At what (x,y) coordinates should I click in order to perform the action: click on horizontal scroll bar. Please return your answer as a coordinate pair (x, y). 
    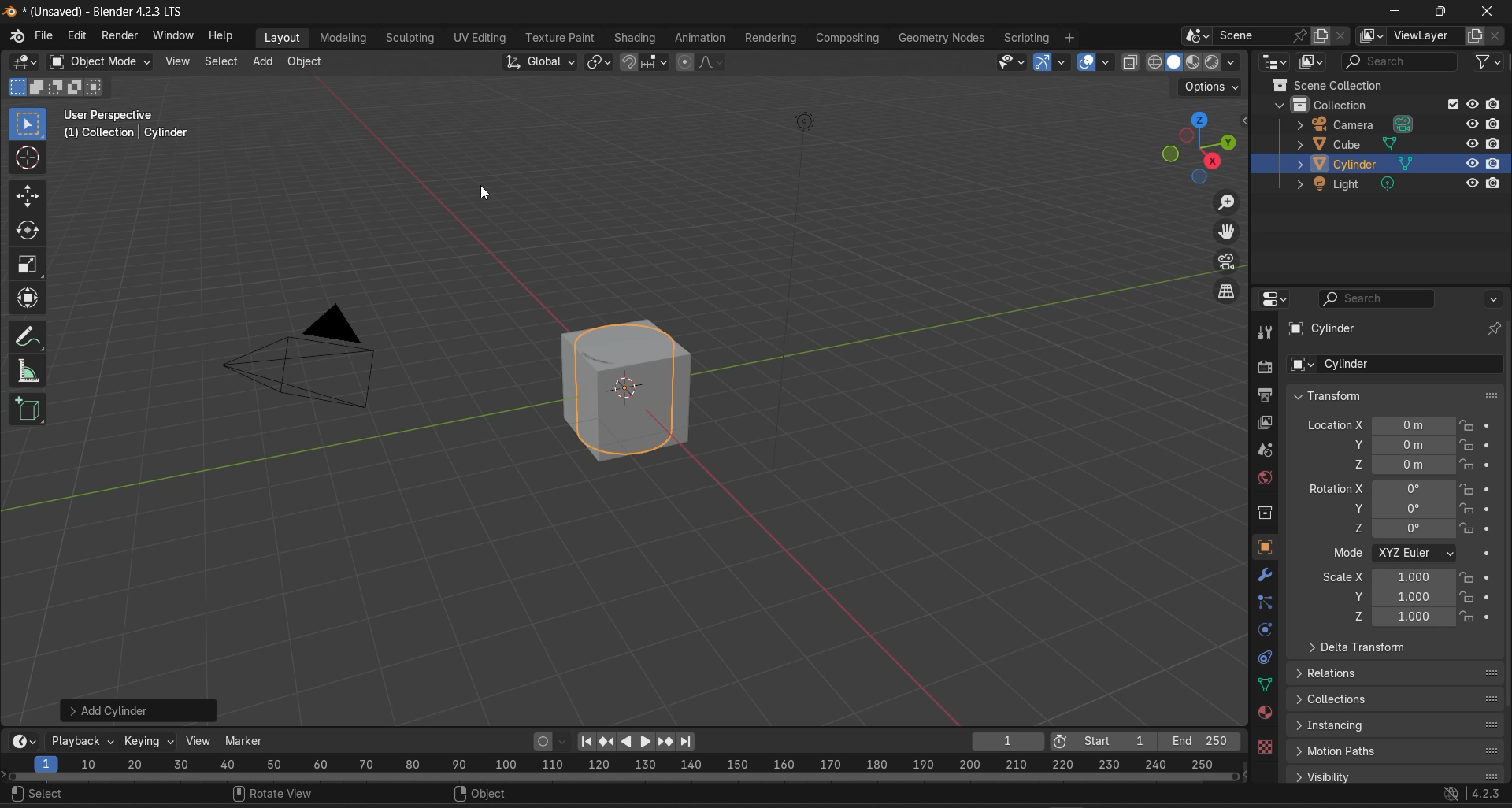
    Looking at the image, I should click on (623, 776).